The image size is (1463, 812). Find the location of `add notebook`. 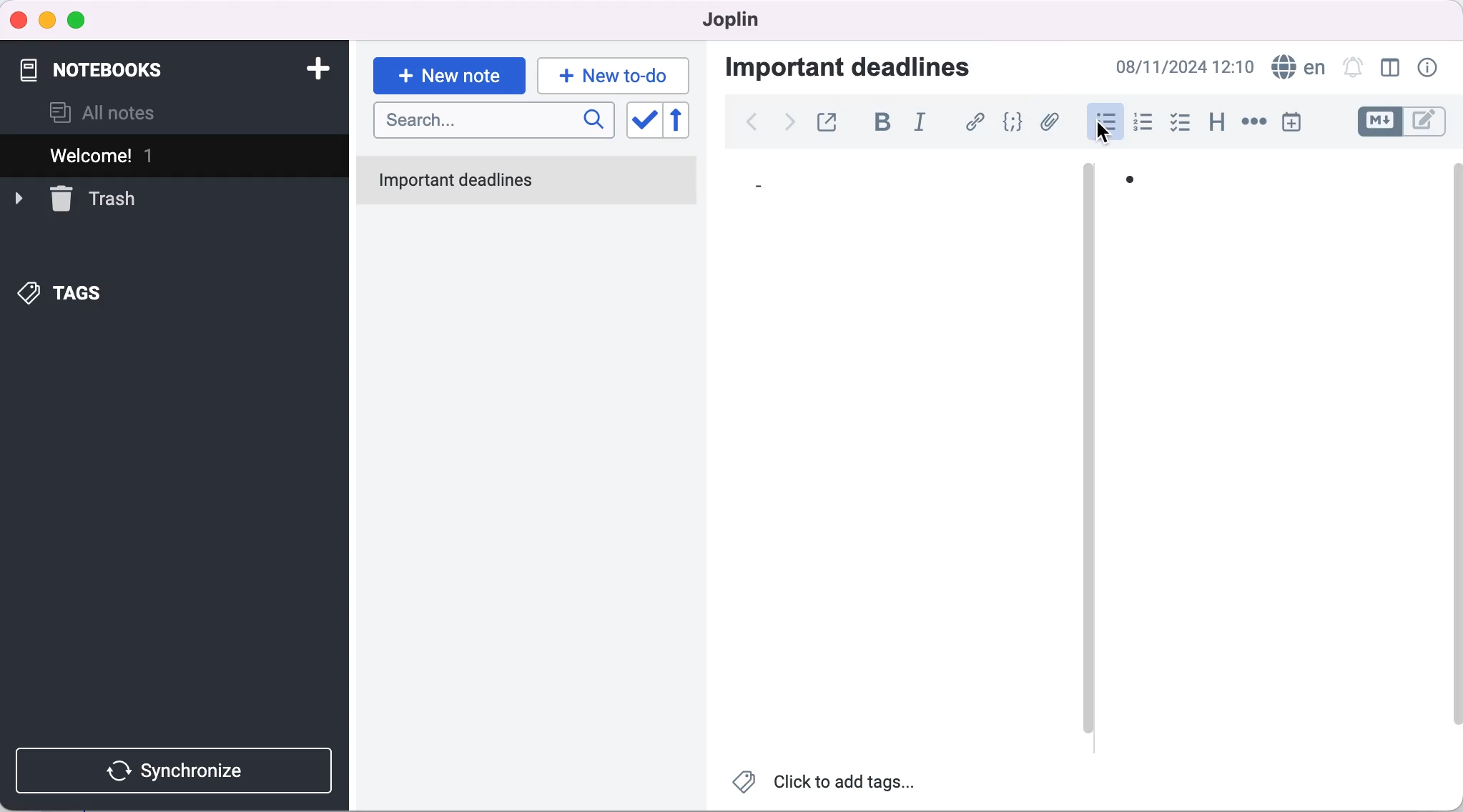

add notebook is located at coordinates (315, 67).